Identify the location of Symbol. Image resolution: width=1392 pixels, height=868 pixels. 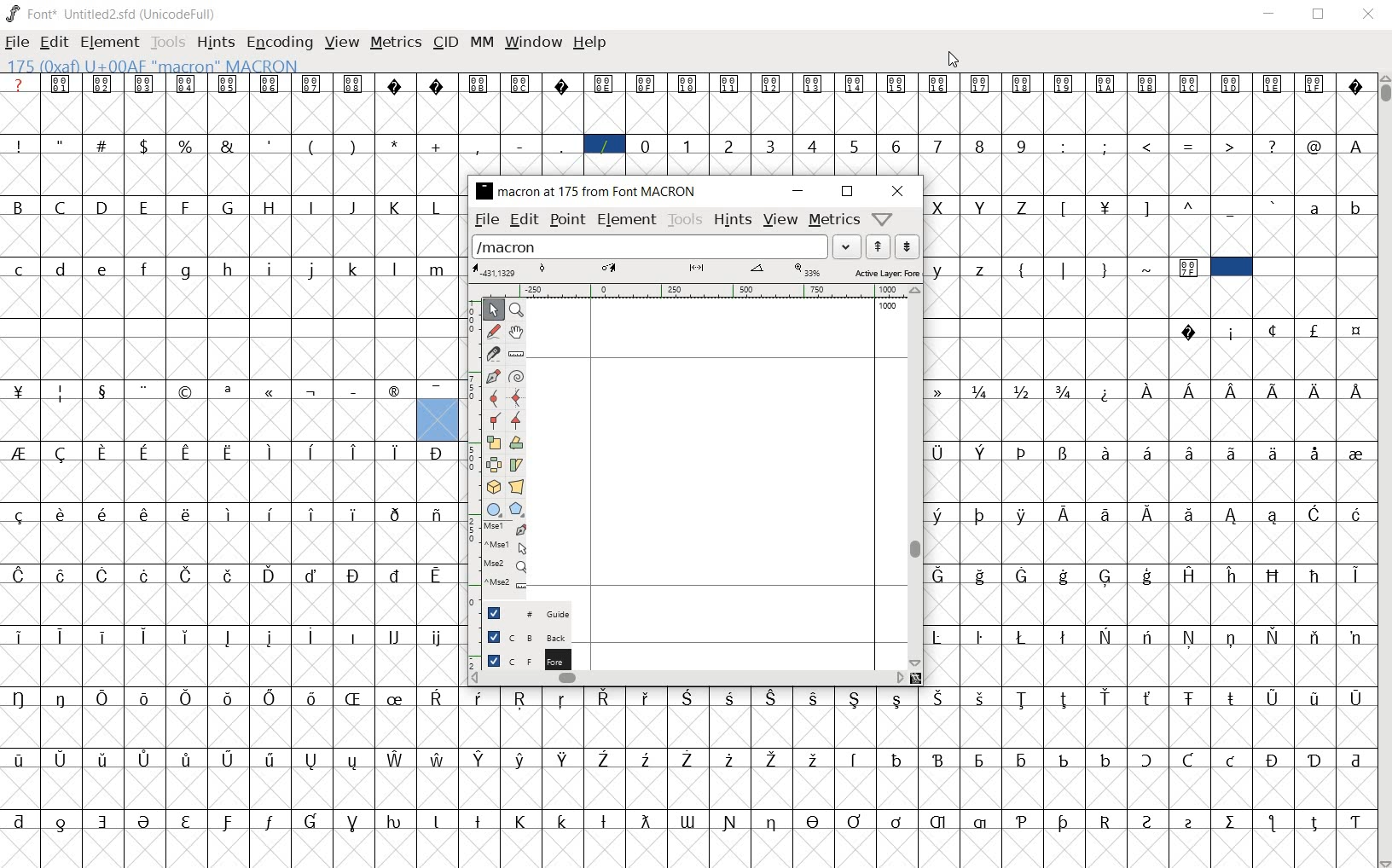
(647, 697).